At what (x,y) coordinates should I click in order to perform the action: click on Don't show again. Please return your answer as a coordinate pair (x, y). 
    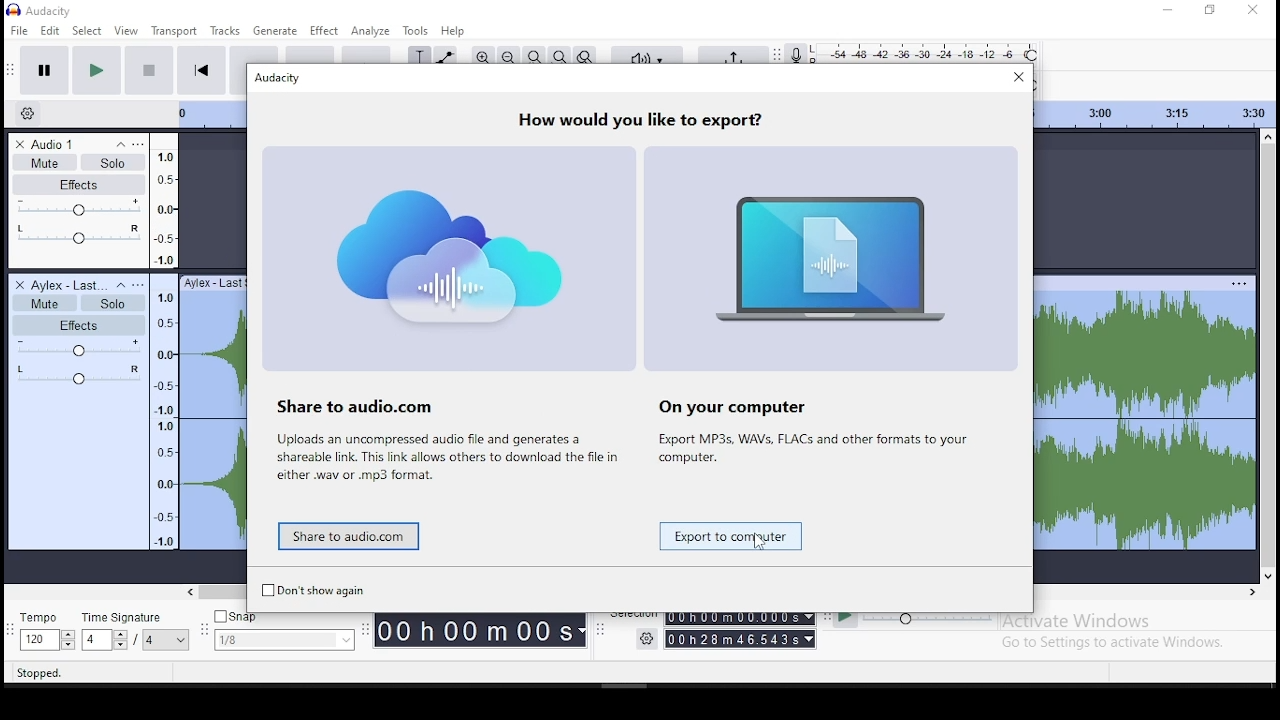
    Looking at the image, I should click on (314, 590).